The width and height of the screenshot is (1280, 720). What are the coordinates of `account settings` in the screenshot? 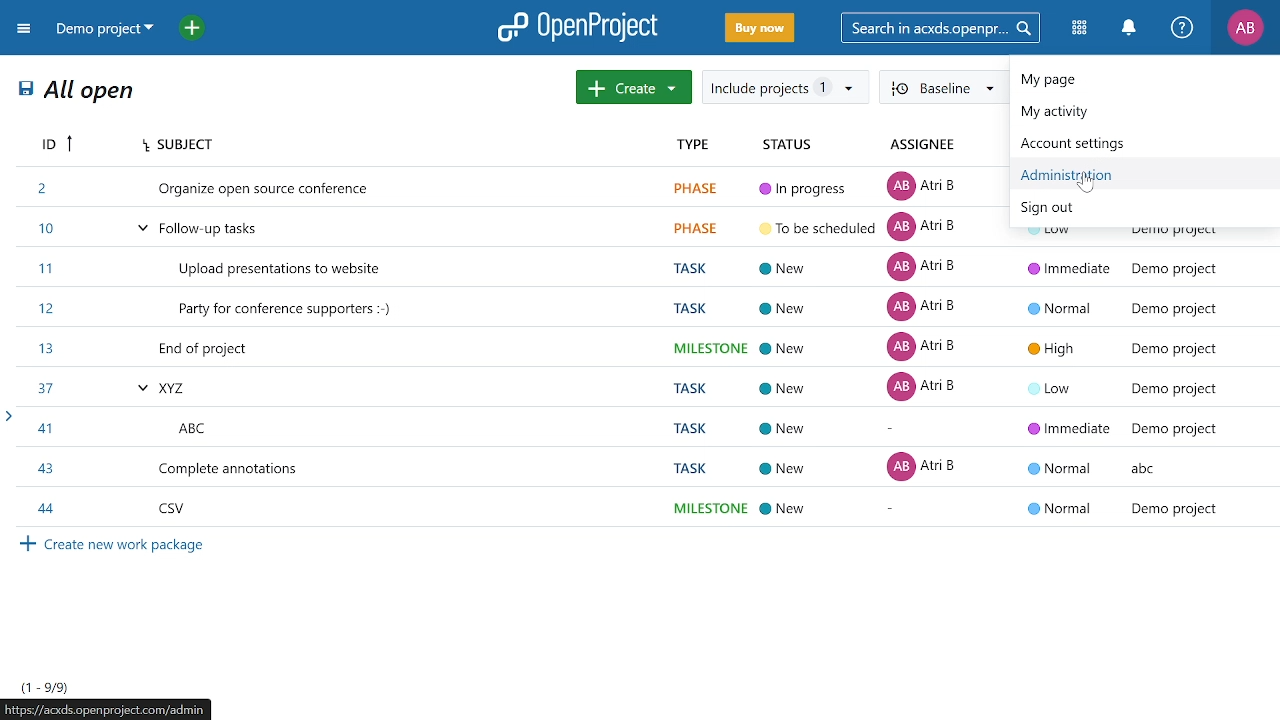 It's located at (1129, 142).